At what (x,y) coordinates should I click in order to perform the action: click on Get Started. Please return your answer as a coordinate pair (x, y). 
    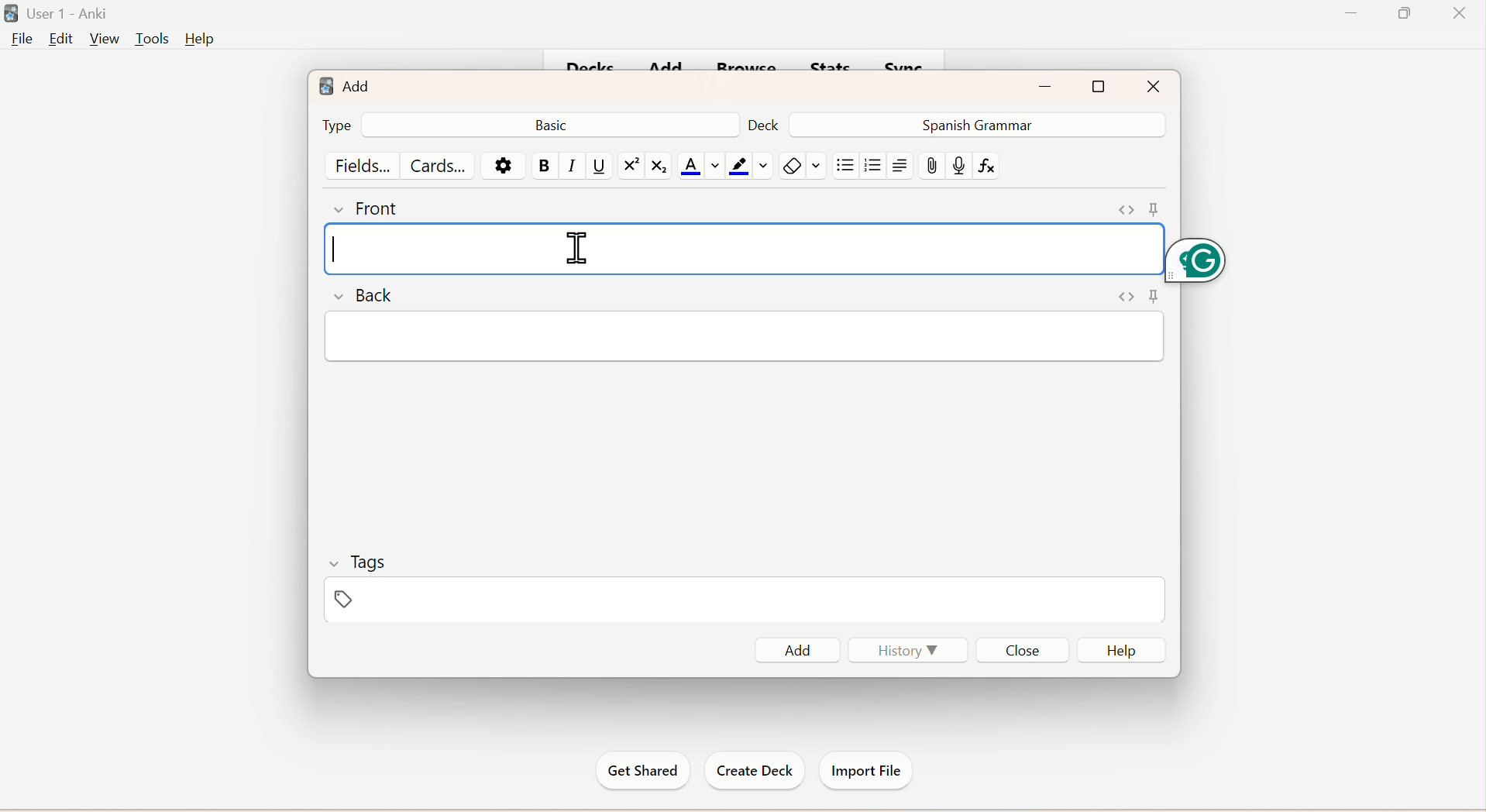
    Looking at the image, I should click on (645, 771).